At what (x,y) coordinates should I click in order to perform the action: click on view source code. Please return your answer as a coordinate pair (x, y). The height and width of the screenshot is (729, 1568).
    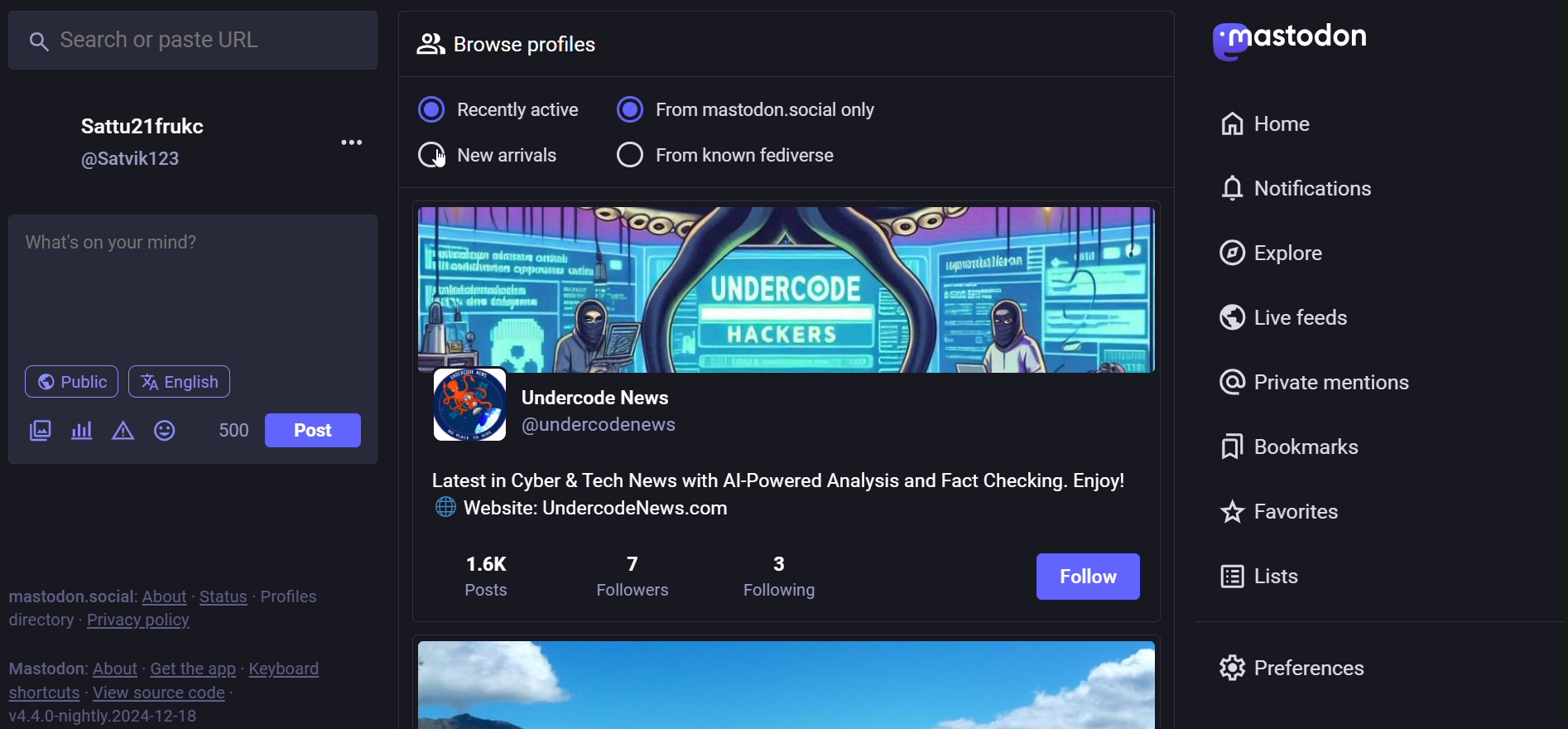
    Looking at the image, I should click on (164, 693).